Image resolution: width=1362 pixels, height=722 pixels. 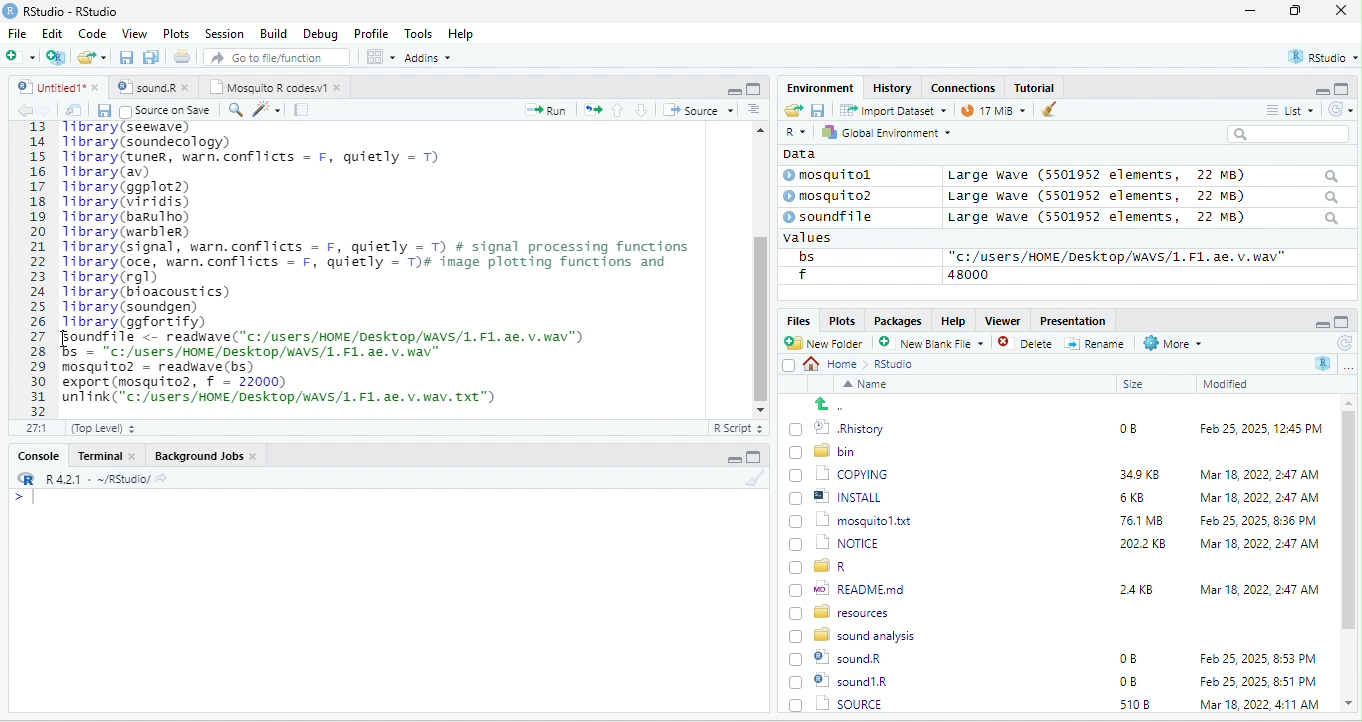 What do you see at coordinates (937, 346) in the screenshot?
I see `’ New blank File` at bounding box center [937, 346].